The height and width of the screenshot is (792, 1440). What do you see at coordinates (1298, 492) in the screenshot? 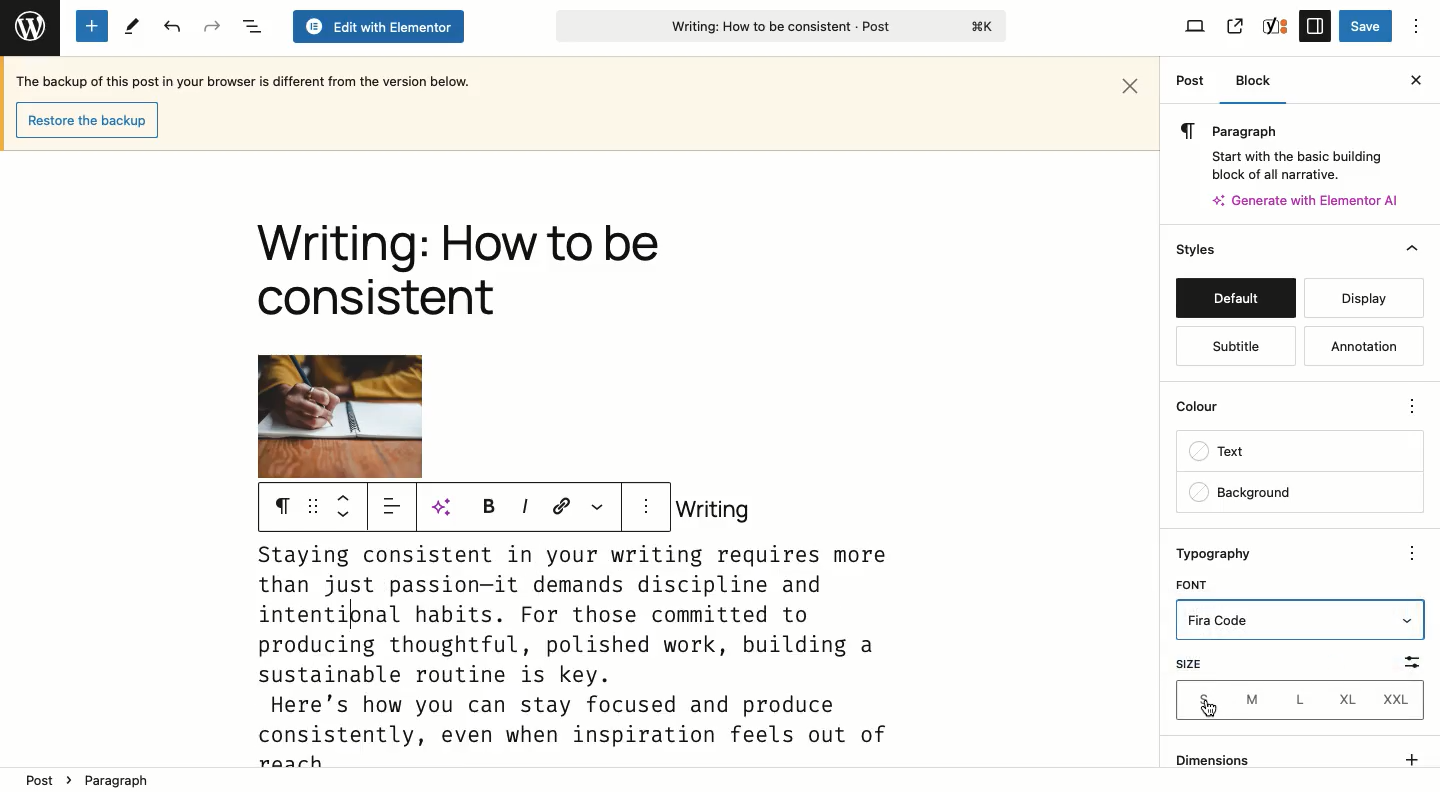
I see `Background` at bounding box center [1298, 492].